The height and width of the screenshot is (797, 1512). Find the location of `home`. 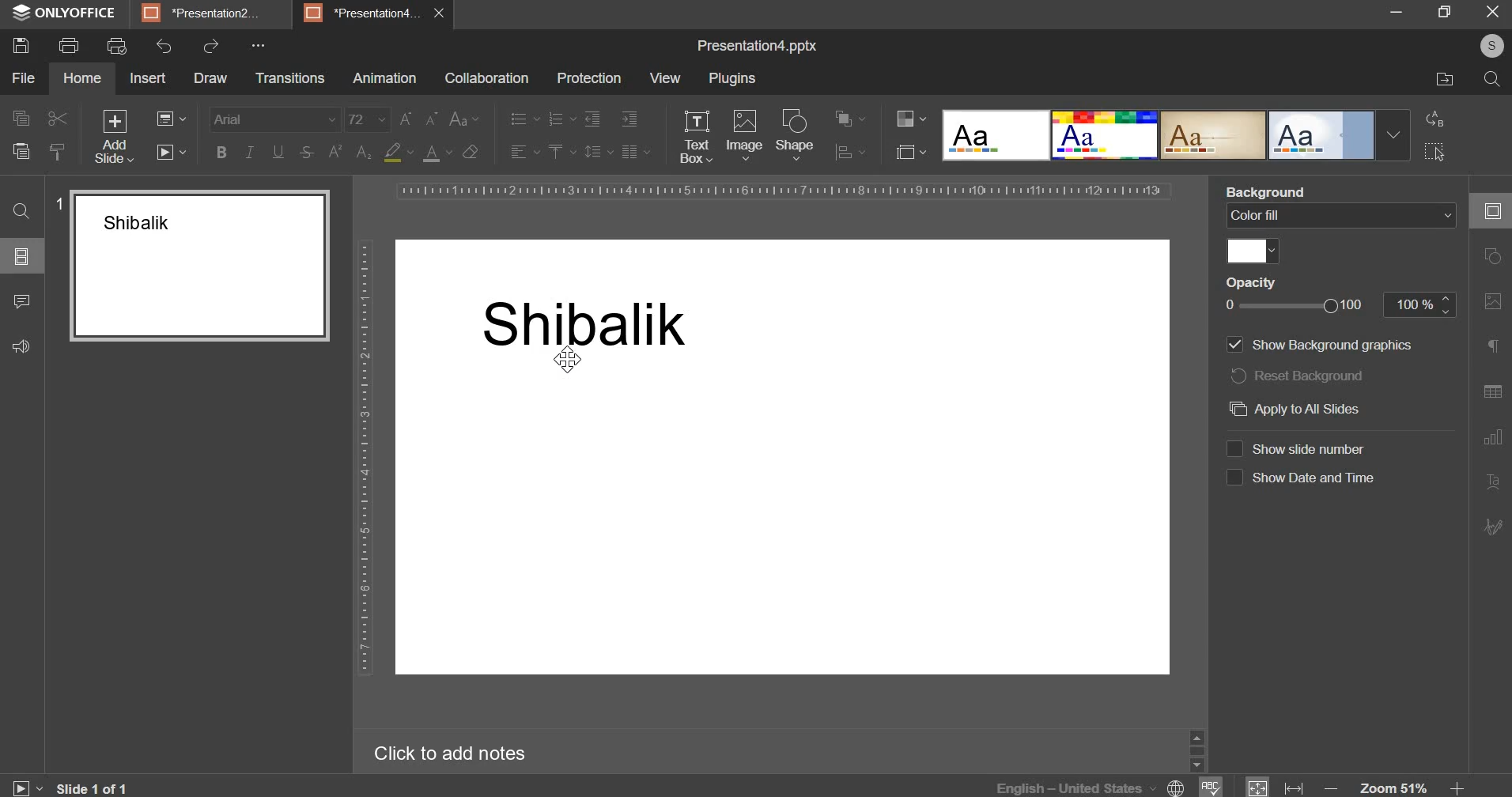

home is located at coordinates (82, 77).